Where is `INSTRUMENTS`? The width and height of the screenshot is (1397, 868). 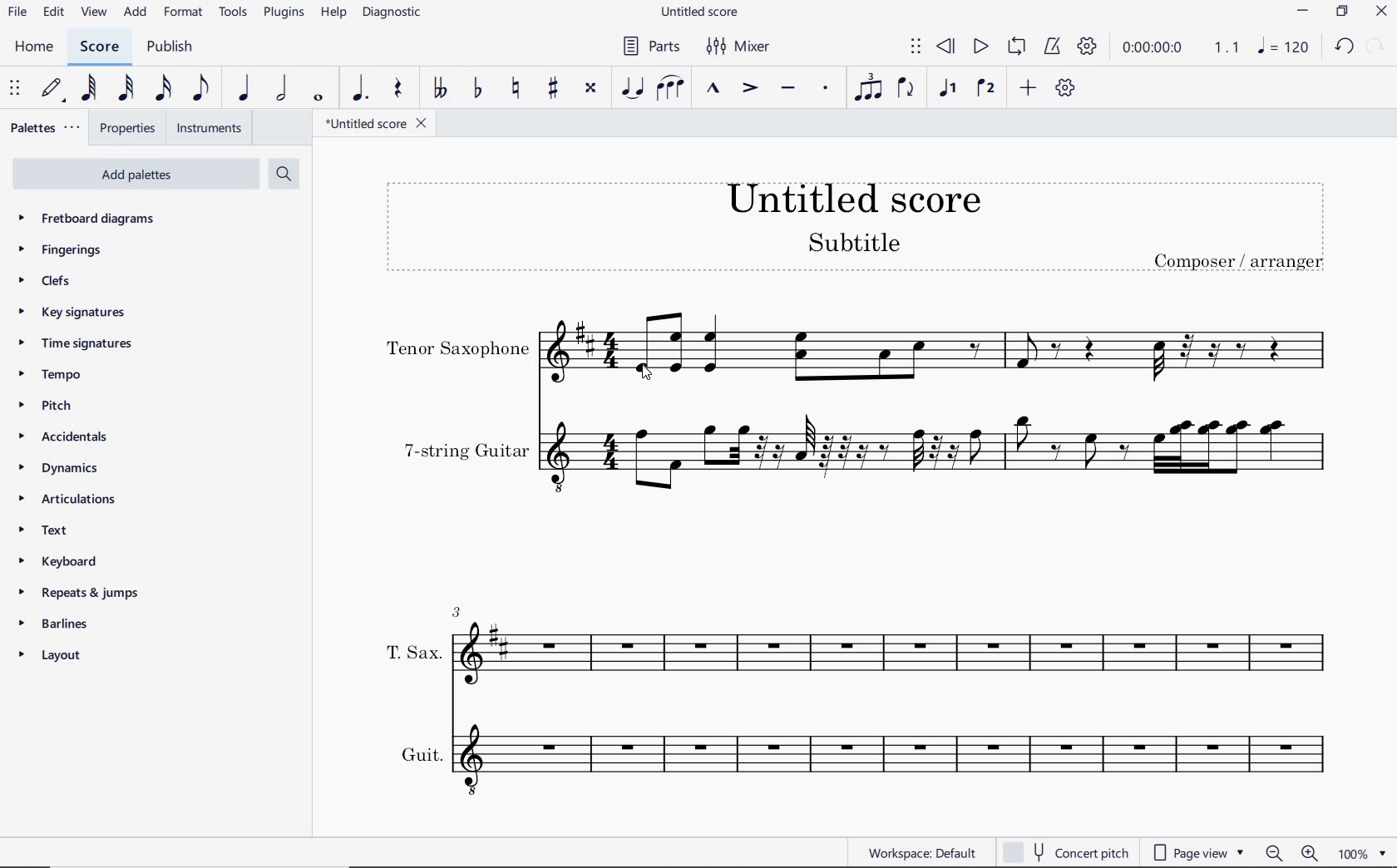
INSTRUMENTS is located at coordinates (212, 130).